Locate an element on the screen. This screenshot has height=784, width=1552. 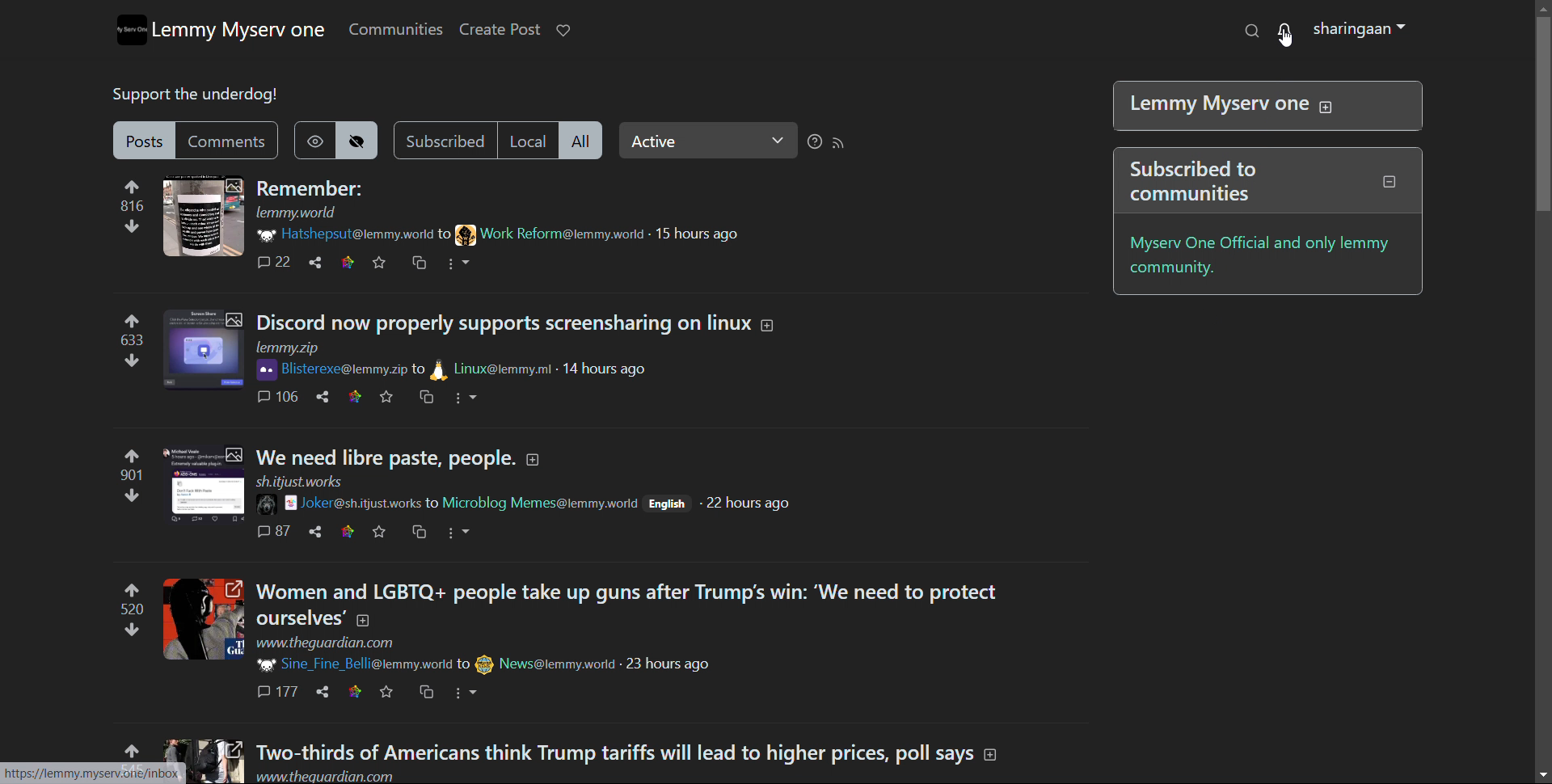
post title "Discord now properly supports screensharing on linux" is located at coordinates (506, 323).